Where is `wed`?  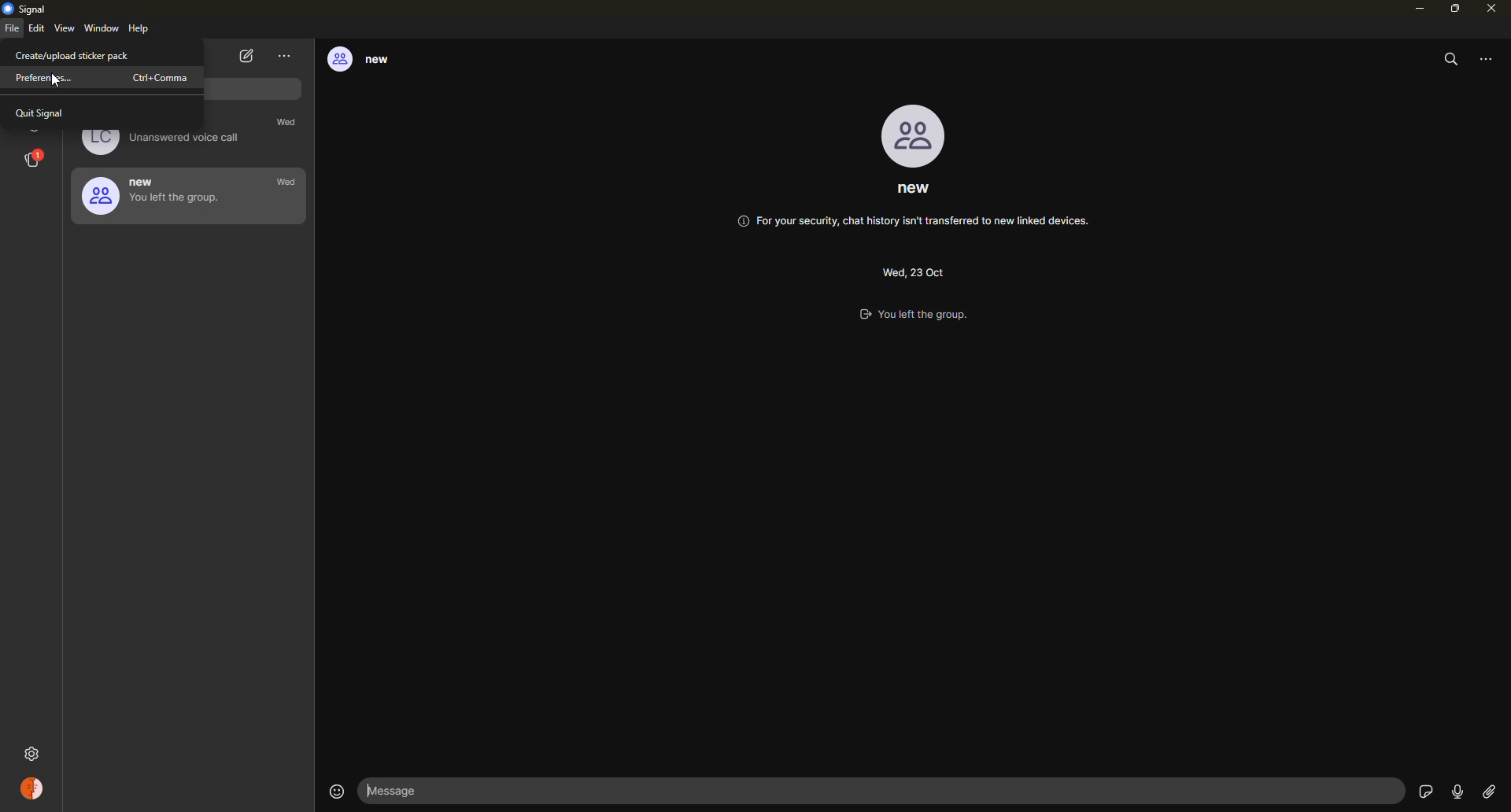 wed is located at coordinates (286, 183).